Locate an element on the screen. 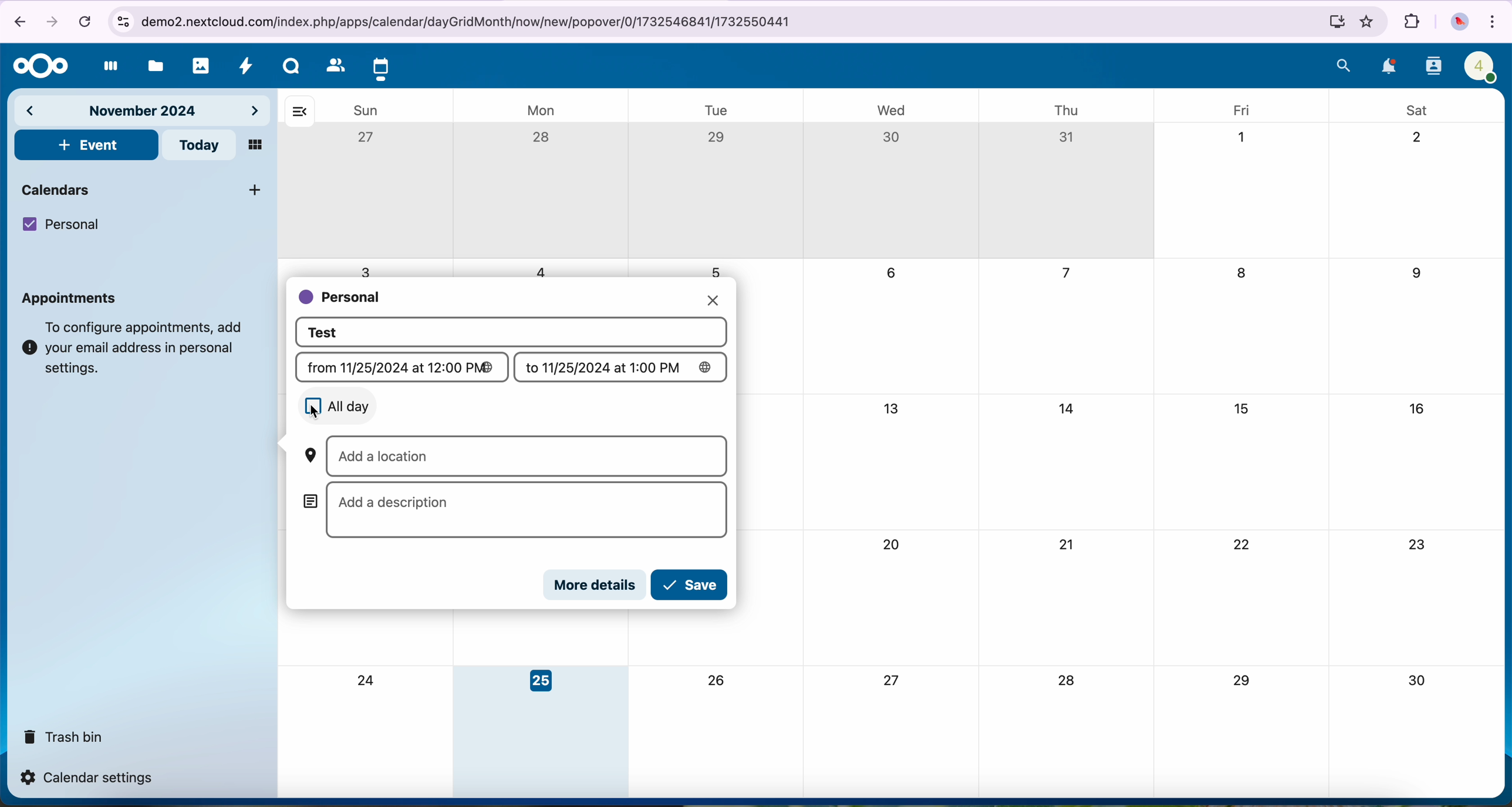 This screenshot has height=807, width=1512. 31 is located at coordinates (1066, 139).